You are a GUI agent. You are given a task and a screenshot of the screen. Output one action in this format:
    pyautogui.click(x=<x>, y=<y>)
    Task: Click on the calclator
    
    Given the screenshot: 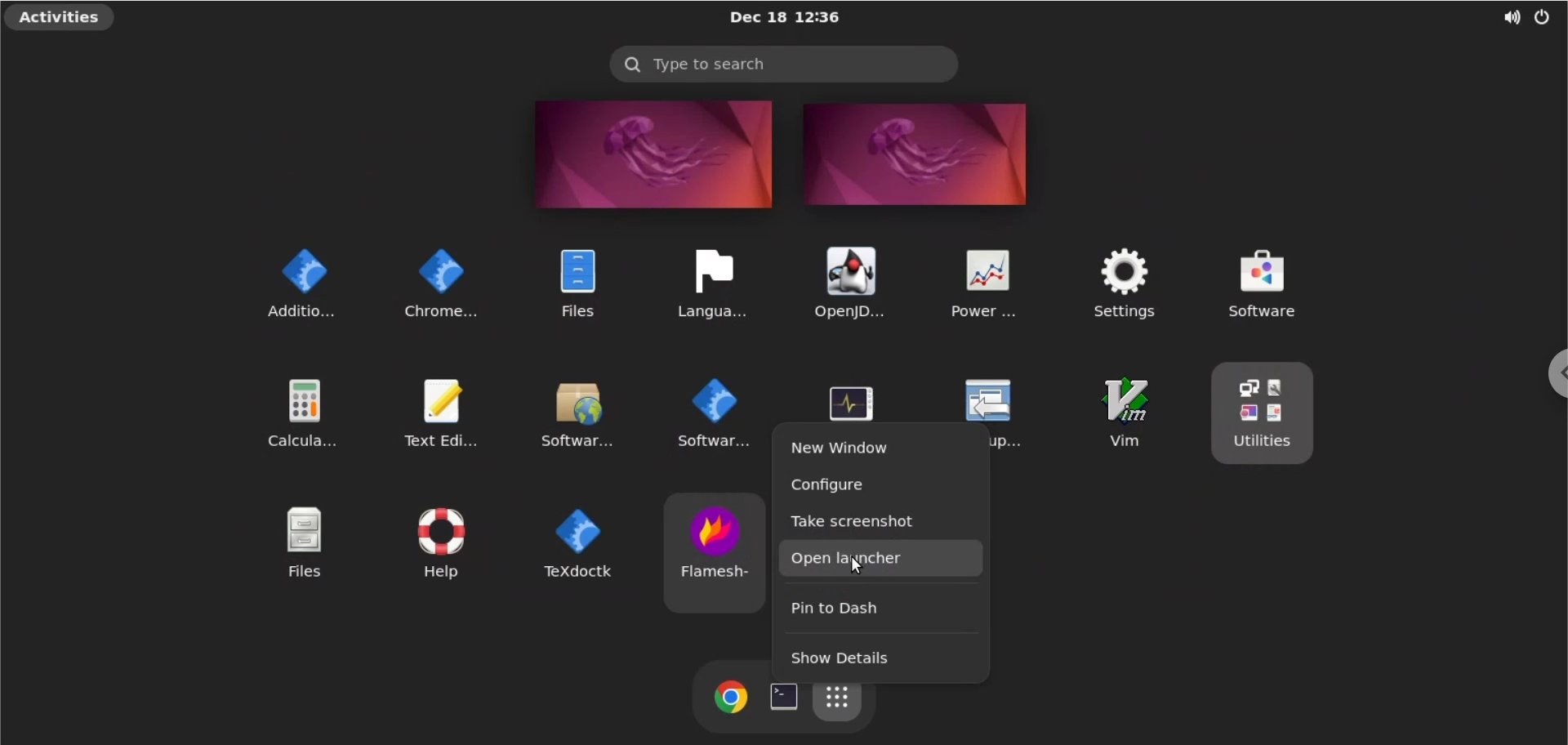 What is the action you would take?
    pyautogui.click(x=301, y=408)
    